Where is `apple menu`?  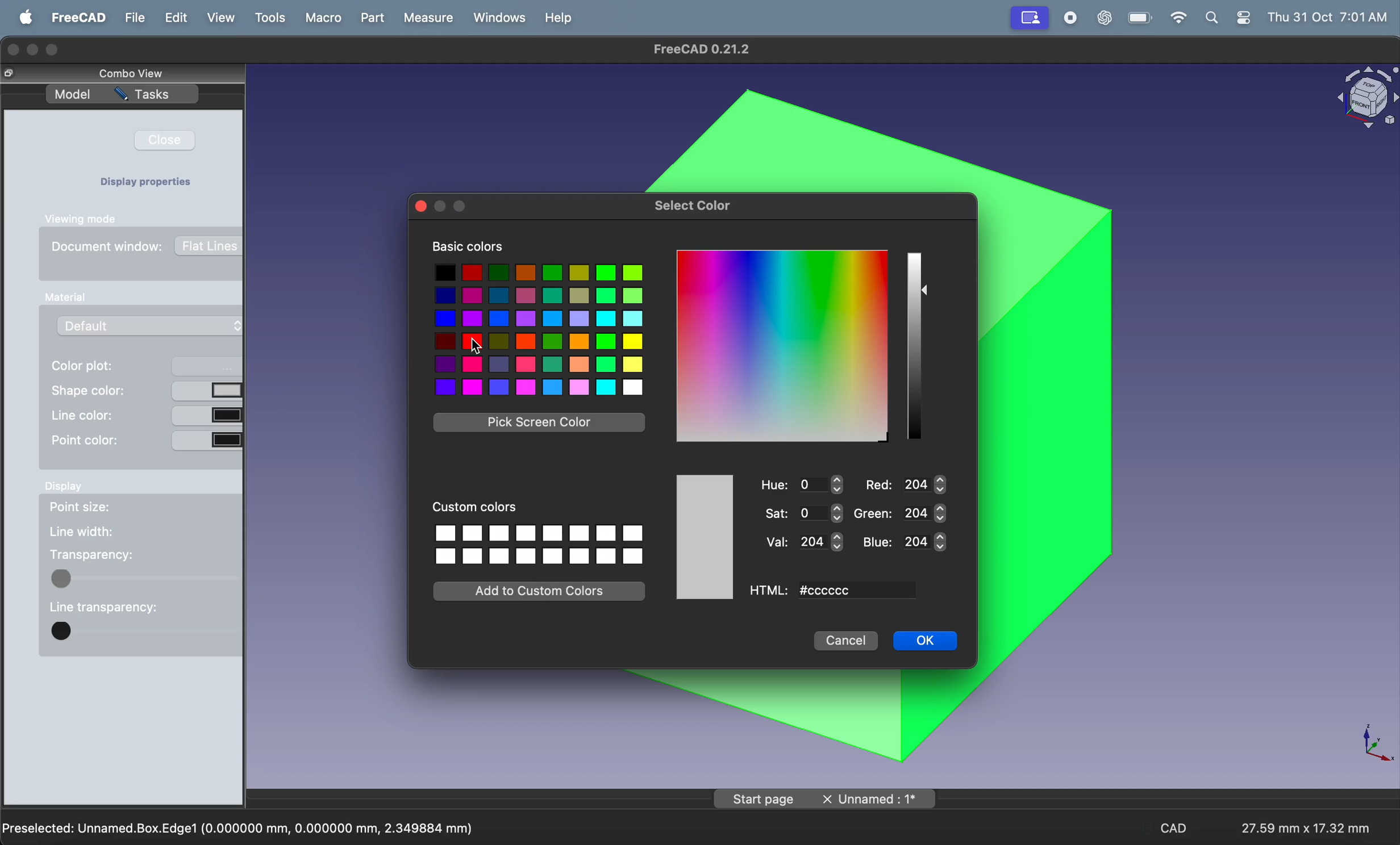 apple menu is located at coordinates (26, 18).